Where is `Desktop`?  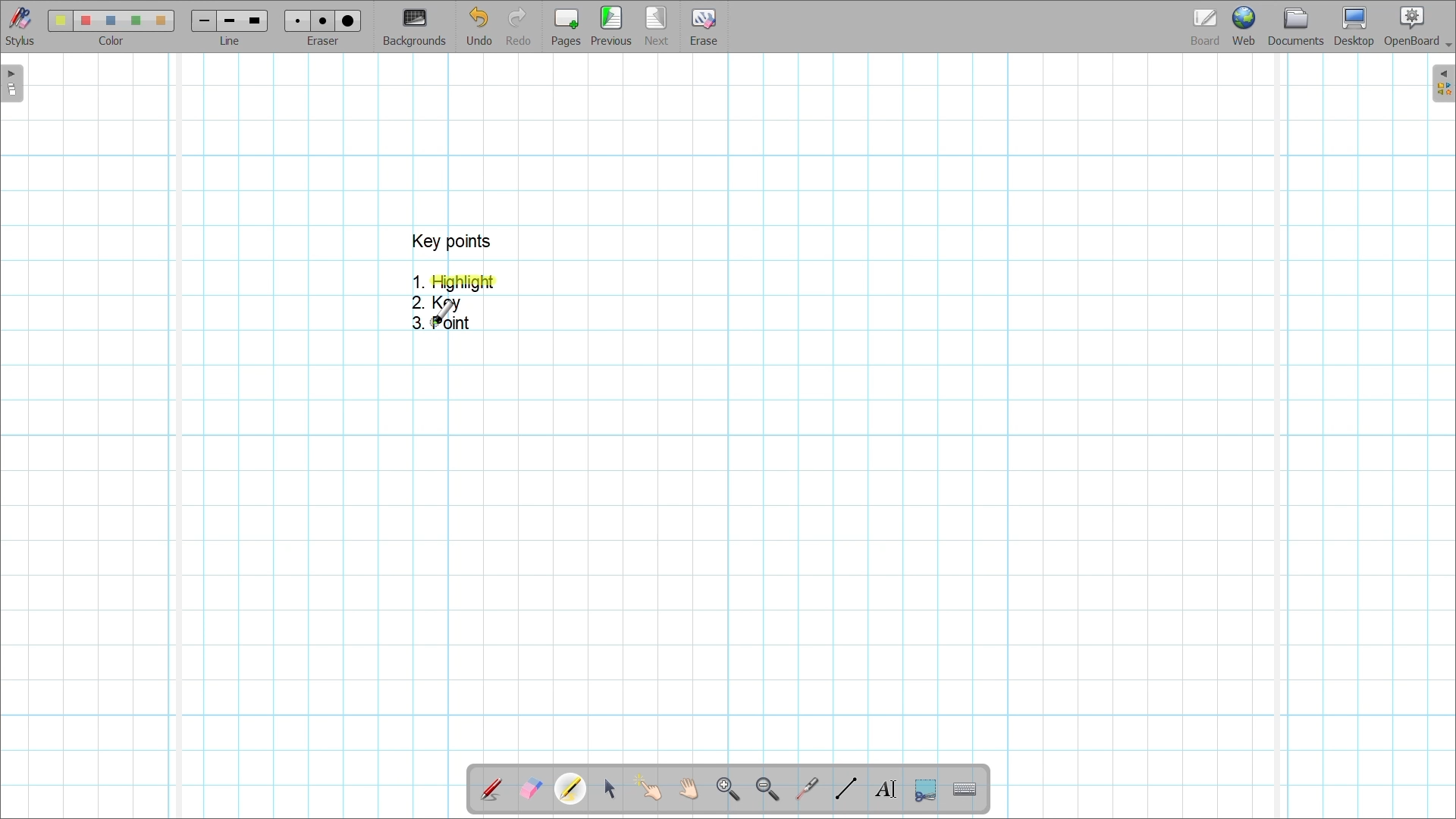 Desktop is located at coordinates (1354, 27).